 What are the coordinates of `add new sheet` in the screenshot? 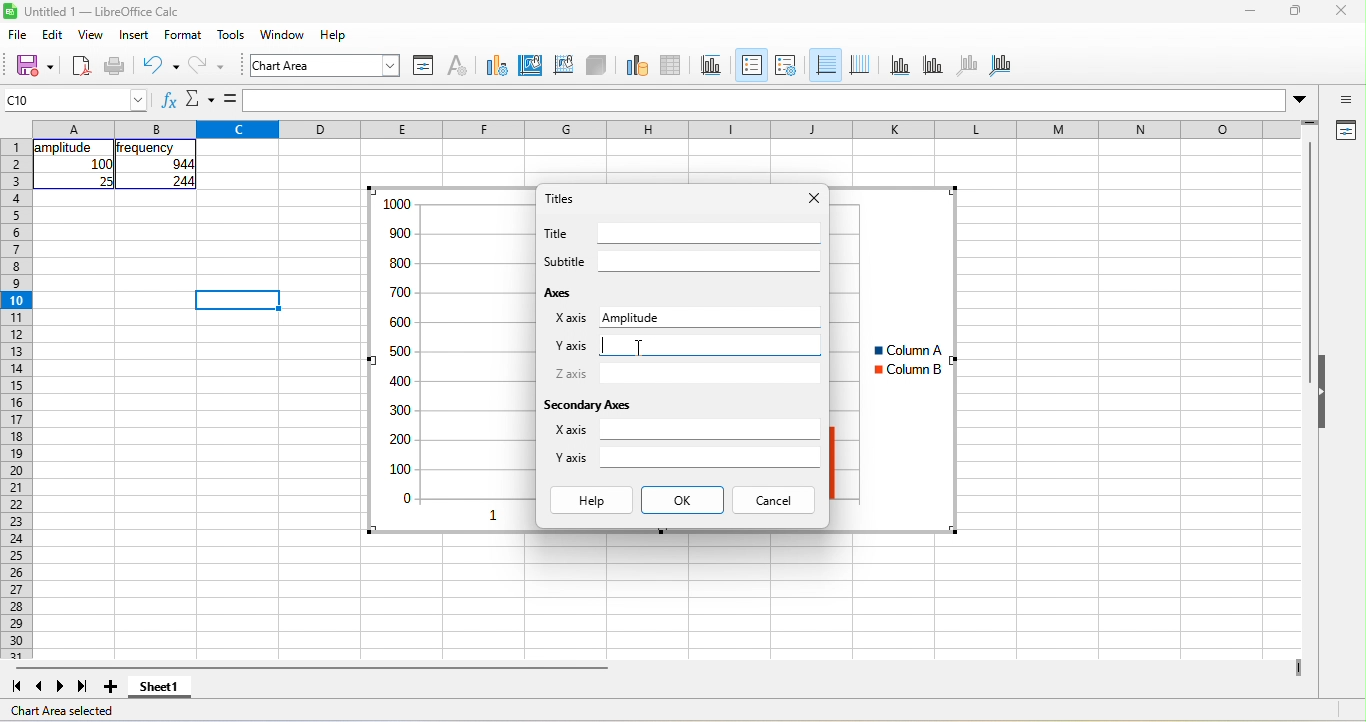 It's located at (110, 687).